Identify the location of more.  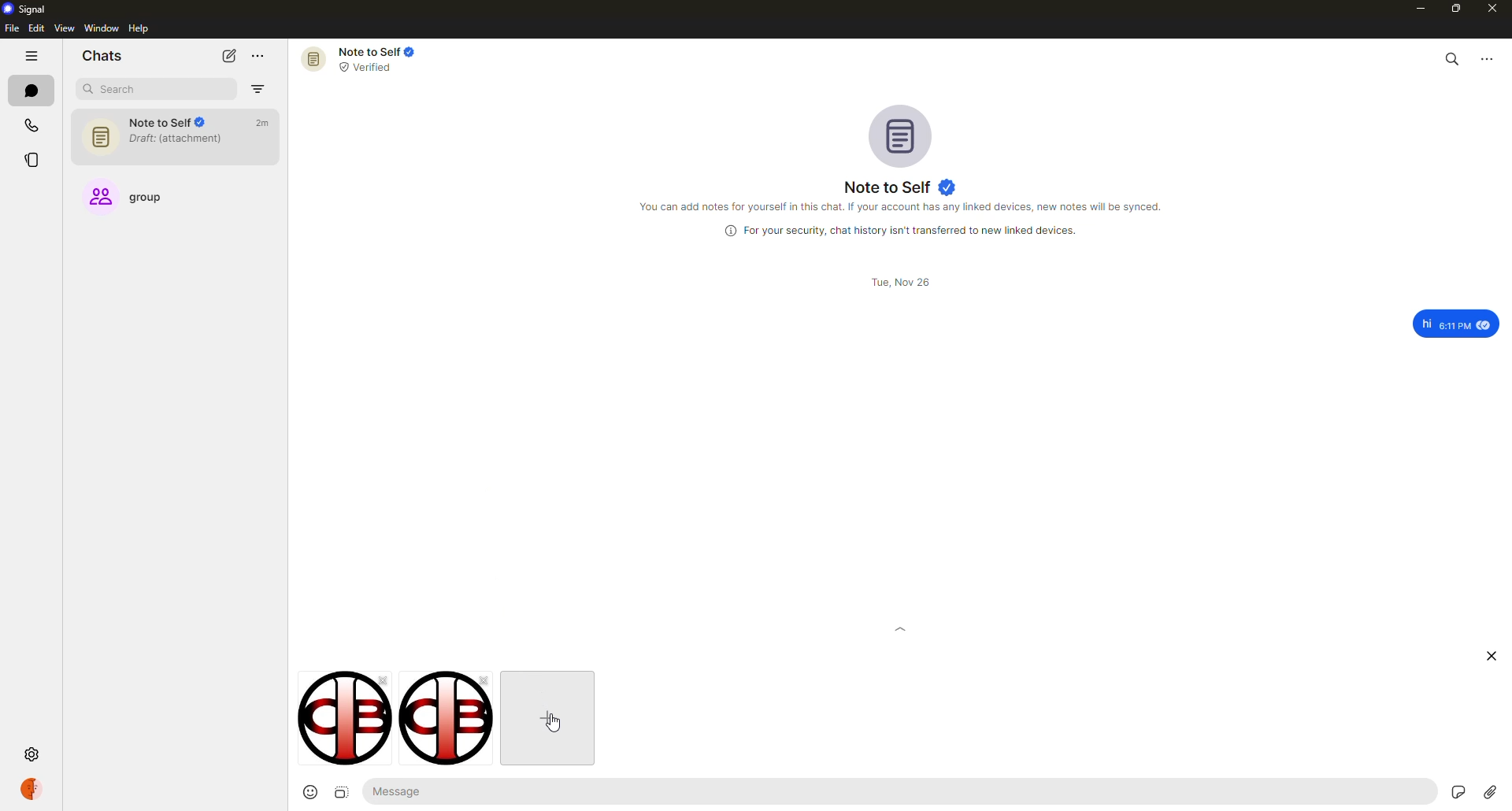
(1489, 58).